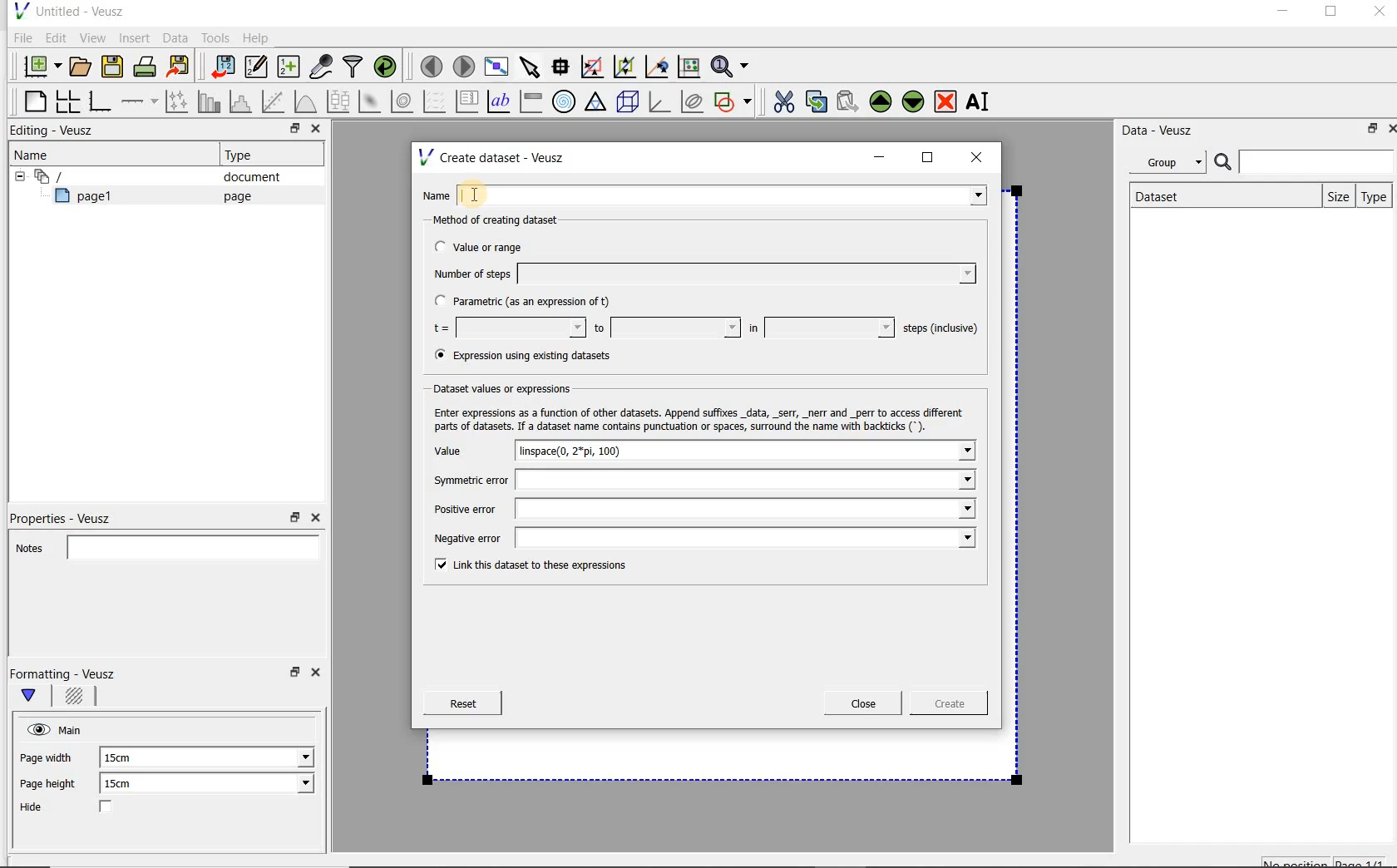 Image resolution: width=1397 pixels, height=868 pixels. I want to click on image color bar, so click(531, 101).